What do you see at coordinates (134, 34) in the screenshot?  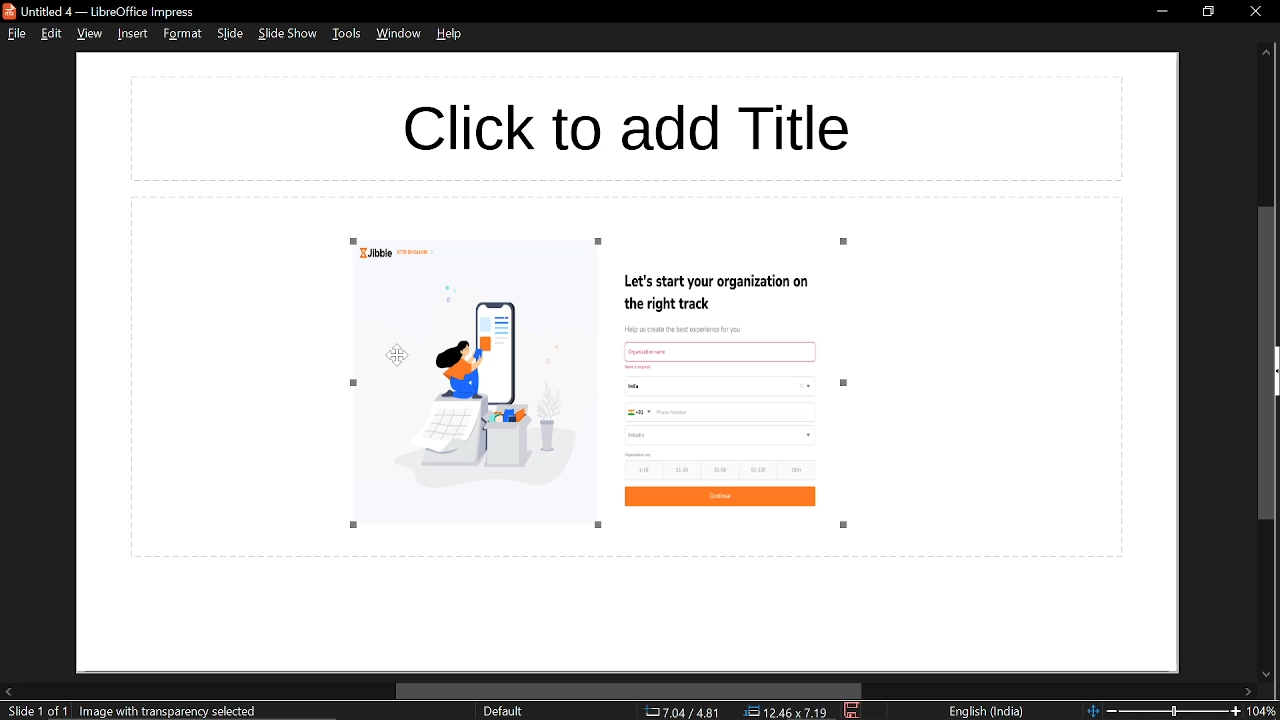 I see `insert` at bounding box center [134, 34].